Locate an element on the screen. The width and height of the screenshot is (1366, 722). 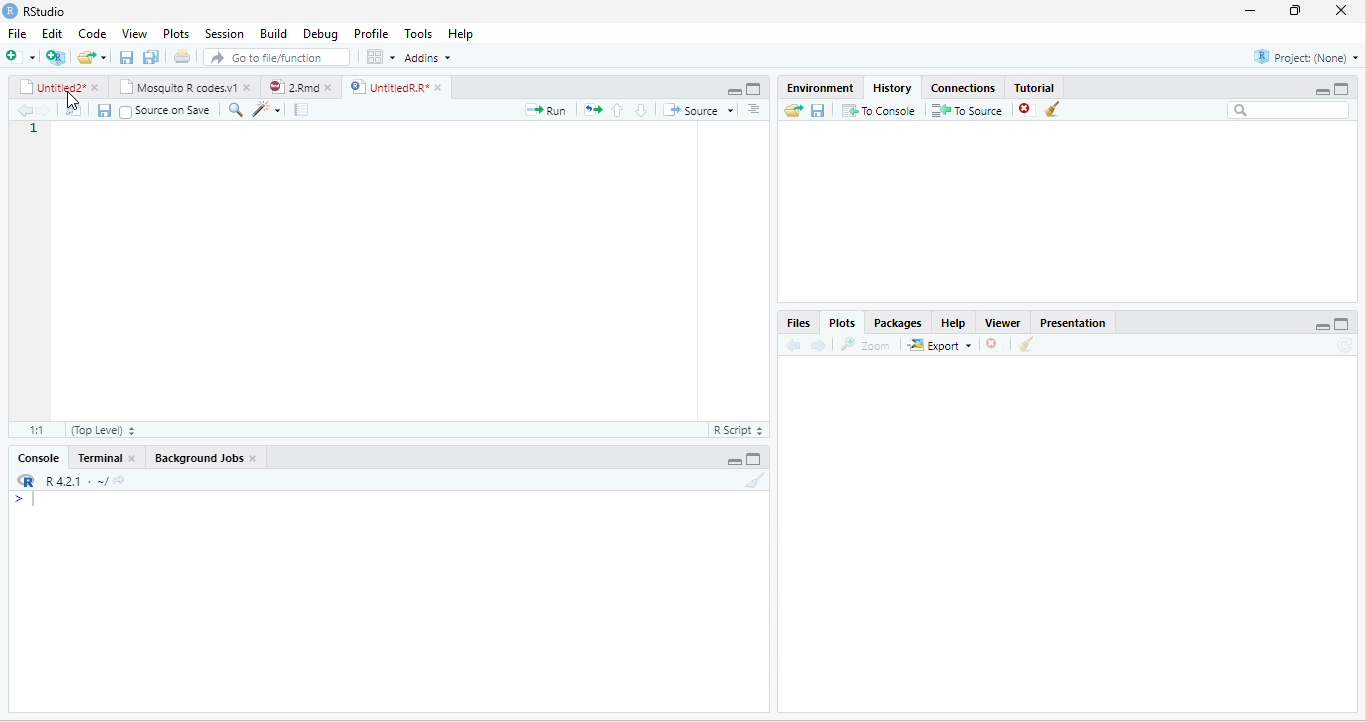
plots is located at coordinates (844, 323).